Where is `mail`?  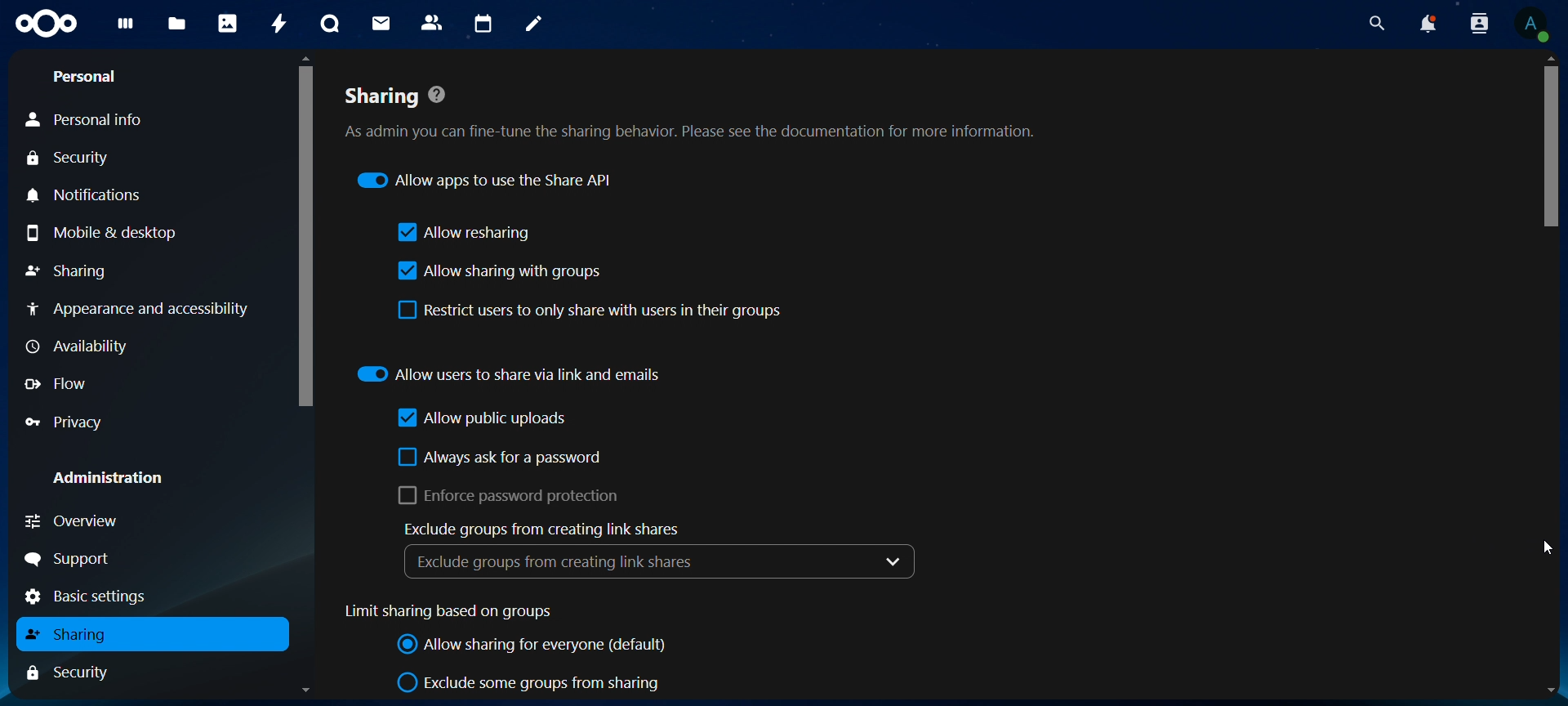 mail is located at coordinates (381, 21).